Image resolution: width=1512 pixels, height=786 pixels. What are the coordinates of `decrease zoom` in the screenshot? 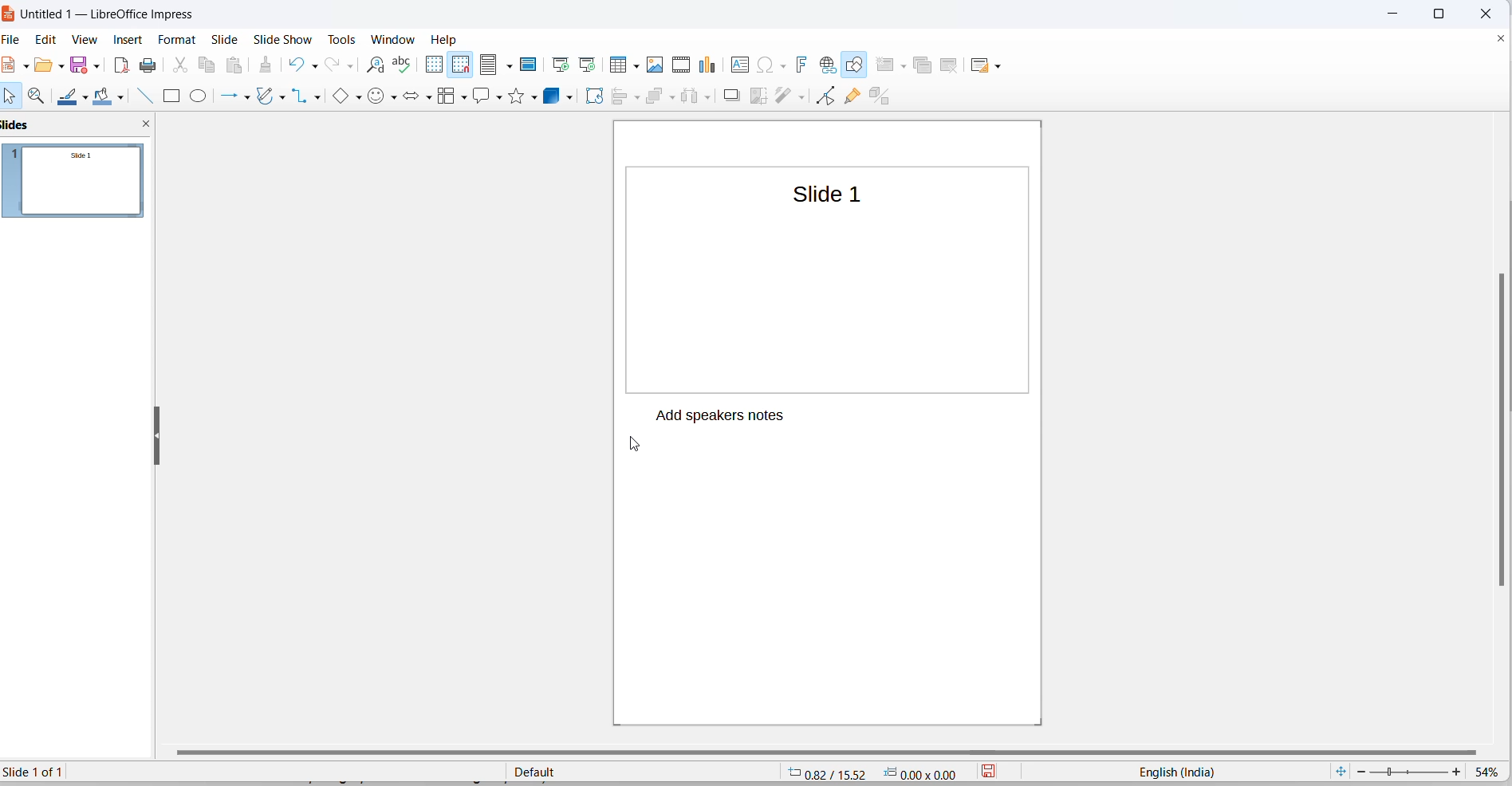 It's located at (1360, 771).